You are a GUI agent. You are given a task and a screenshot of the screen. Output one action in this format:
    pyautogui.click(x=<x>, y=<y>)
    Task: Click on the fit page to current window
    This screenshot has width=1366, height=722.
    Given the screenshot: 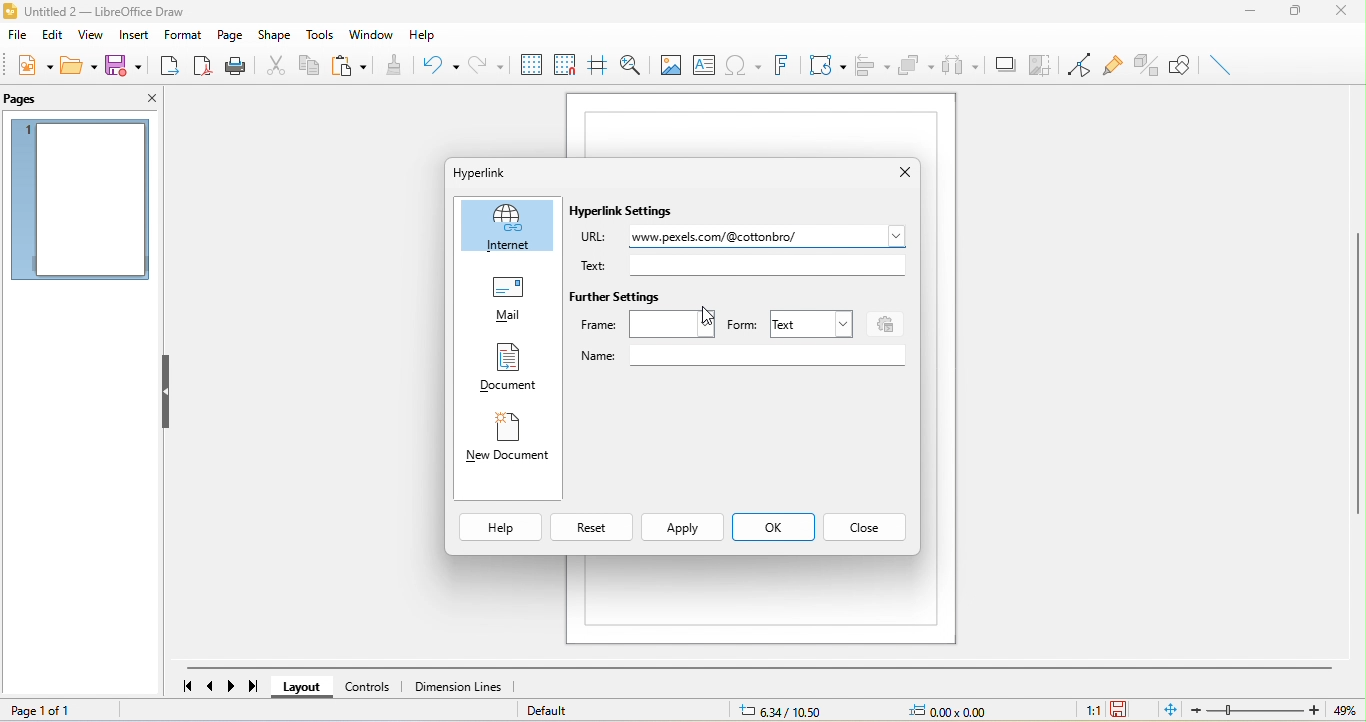 What is the action you would take?
    pyautogui.click(x=1171, y=709)
    